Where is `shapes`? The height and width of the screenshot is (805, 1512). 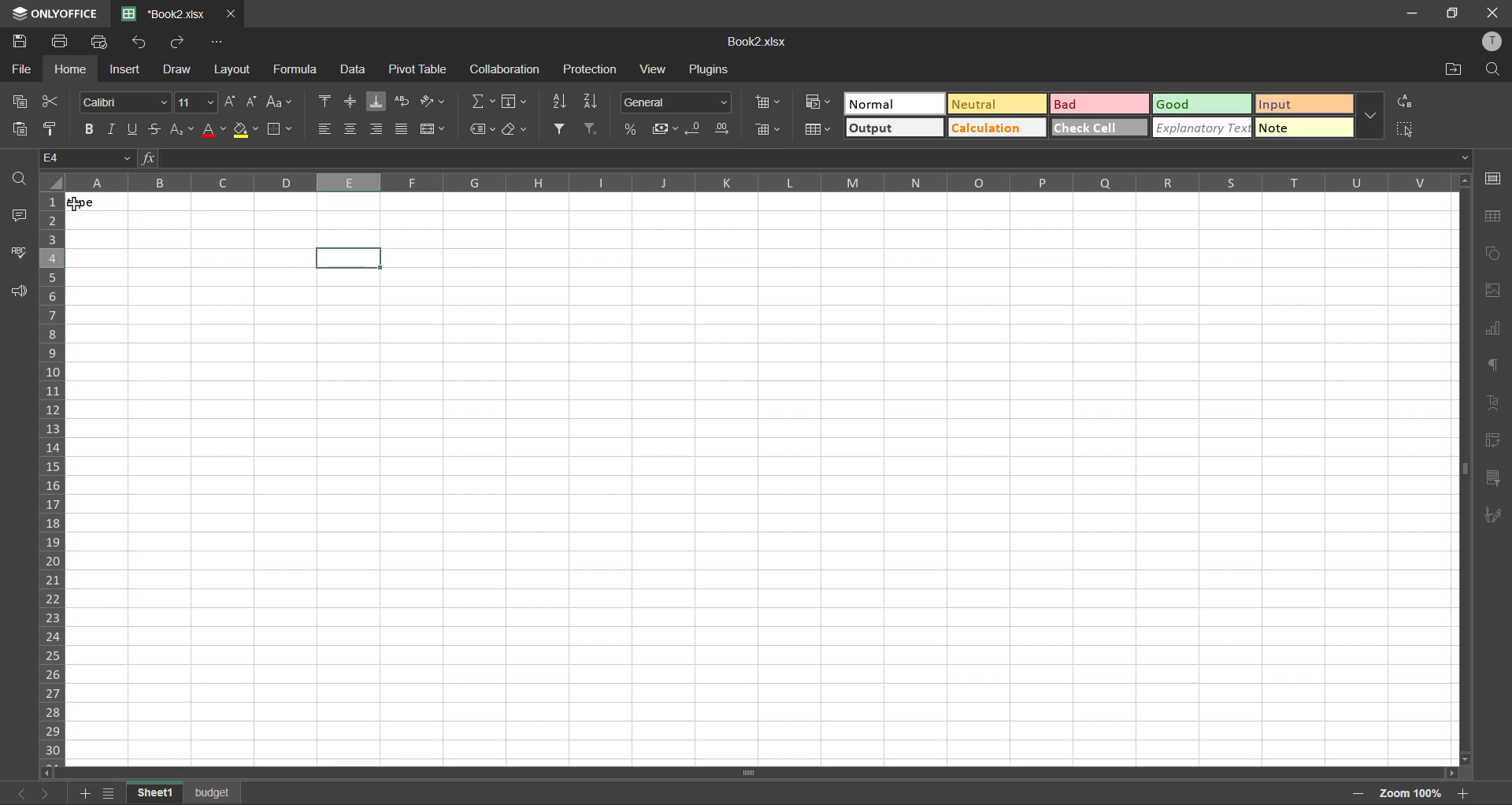
shapes is located at coordinates (1494, 251).